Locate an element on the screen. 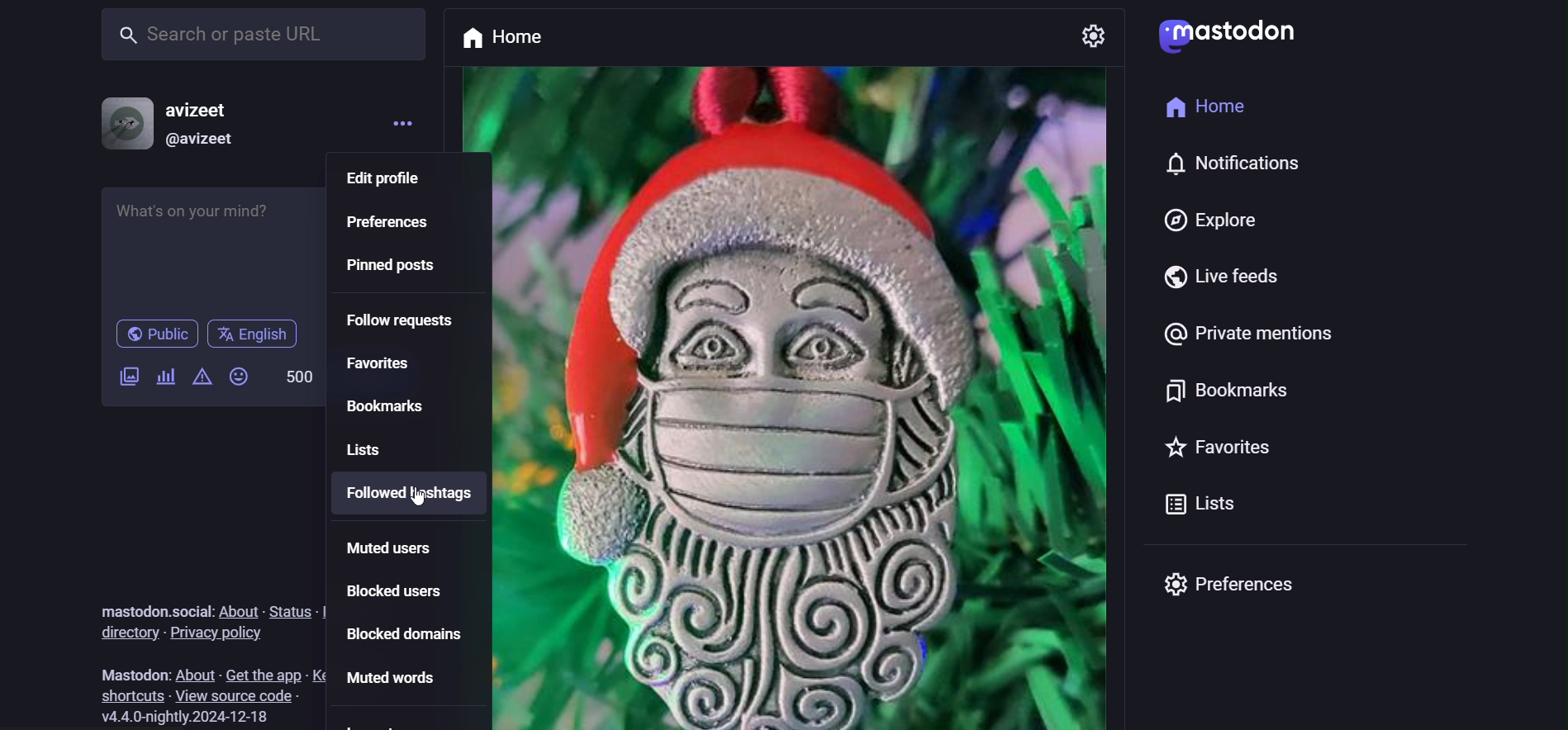  pinned post is located at coordinates (396, 273).